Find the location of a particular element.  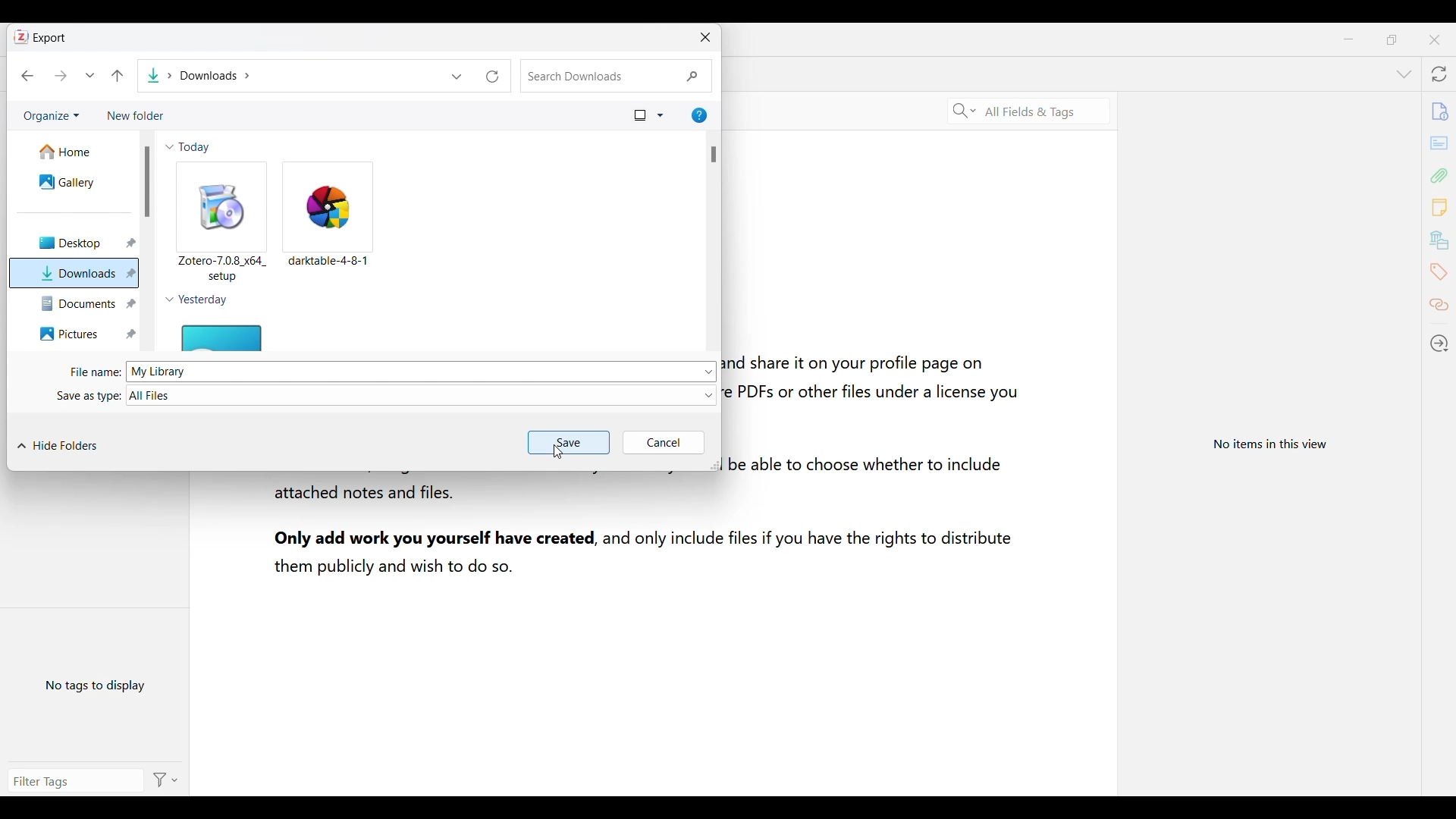

Locate is located at coordinates (1439, 342).